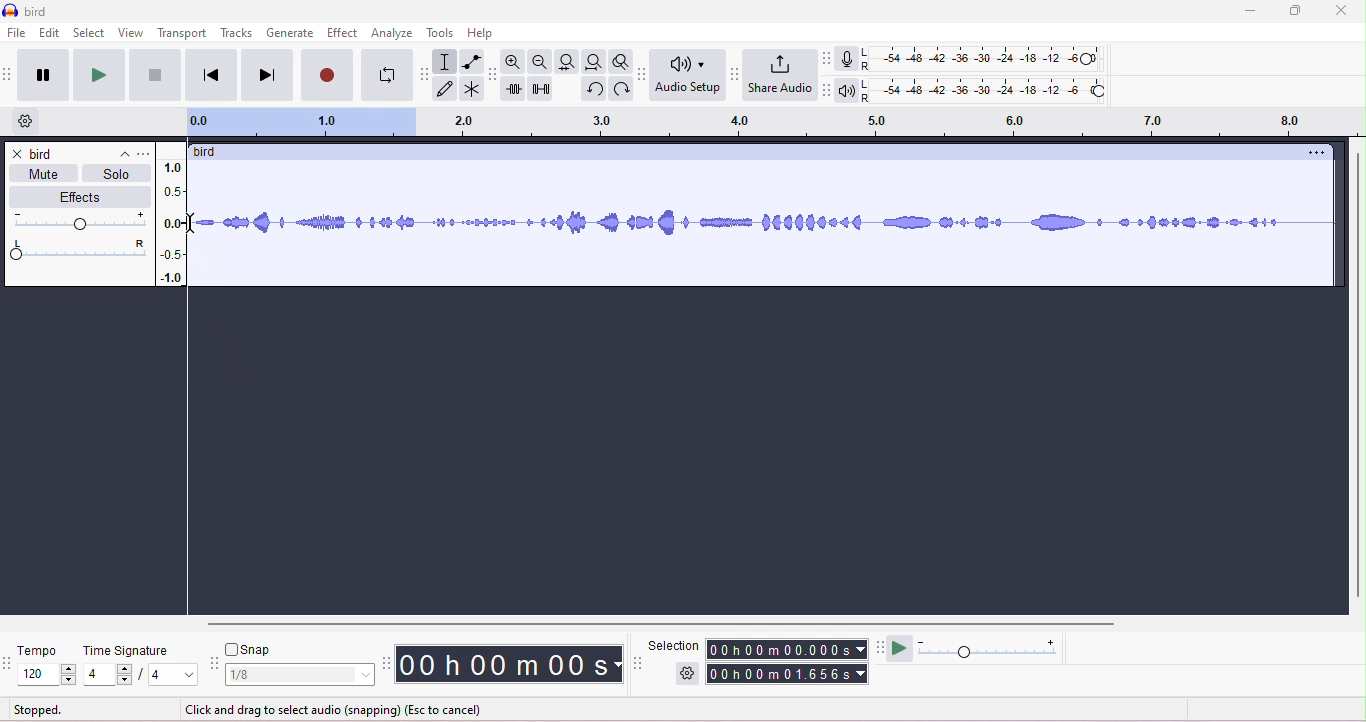 The width and height of the screenshot is (1366, 722). I want to click on Audio setup, so click(690, 74).